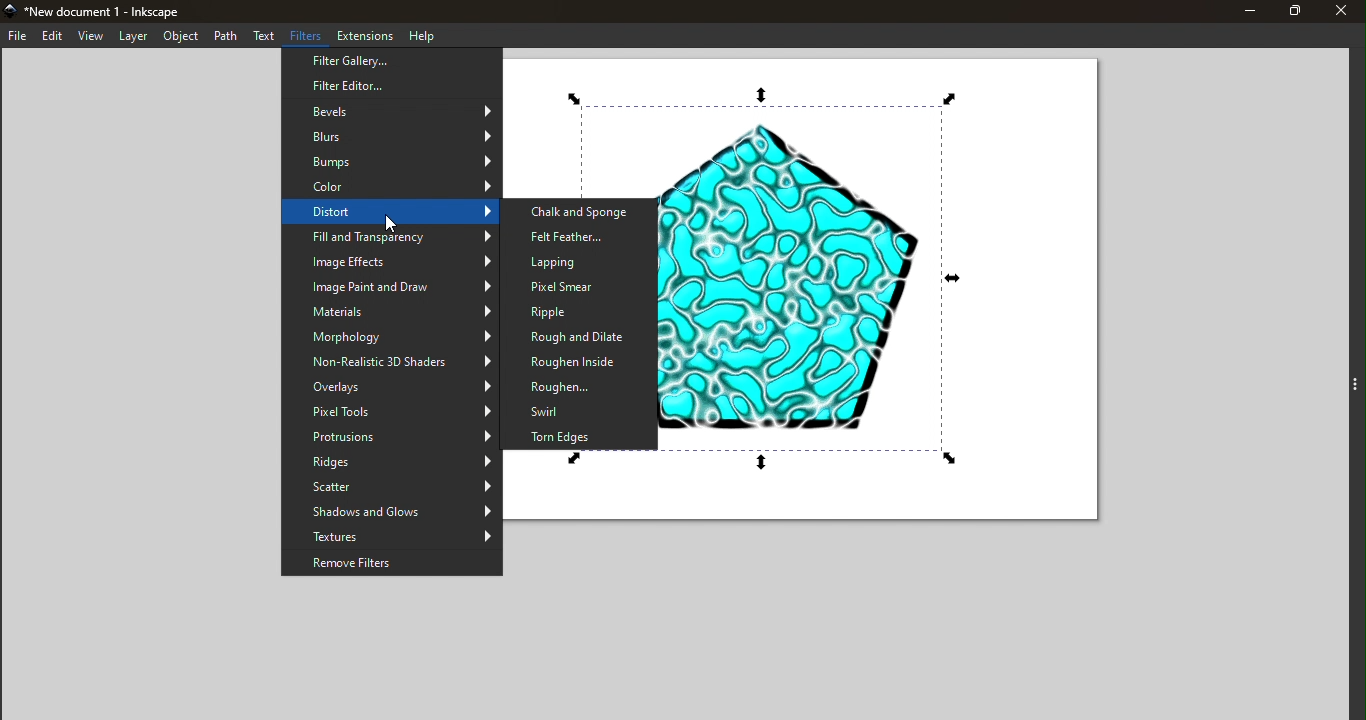  Describe the element at coordinates (392, 86) in the screenshot. I see `Filter Editor...` at that location.